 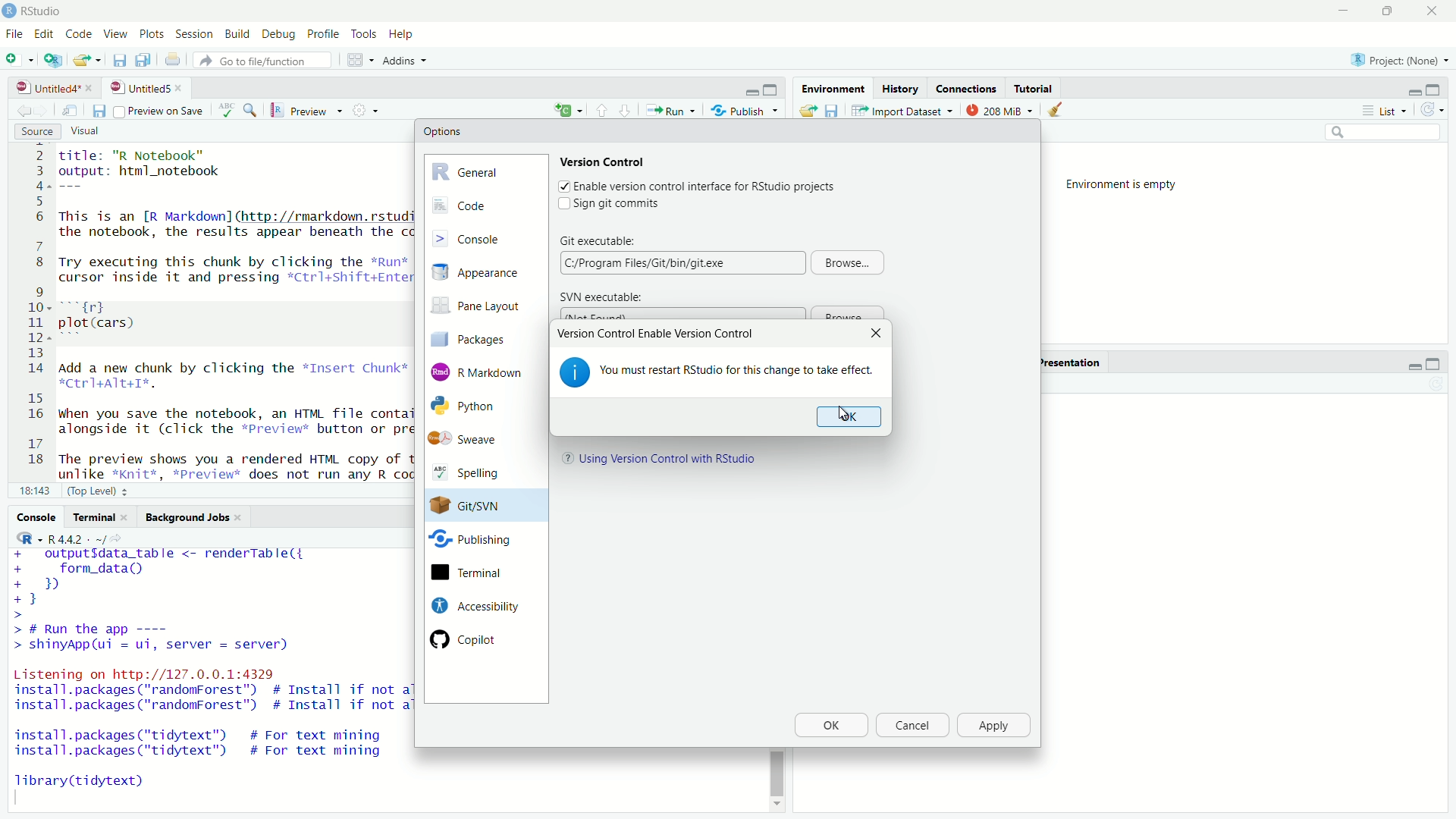 What do you see at coordinates (209, 676) in the screenshot?
I see `+ outputfdata_table <- renderTable({+ form_data()+B+}>> # Run the app ----> shinyApp(ui = ui, server = server)Listening on http://127.0.0.1:4329install.packages ("randomForest") # Install if not already installedinstall.packages ("randomForest") # Install if not already installedinstall.packages ("tidytext") # For text mininginstall.packages ("tidytext") # For text miningTibrary(tidytext)` at bounding box center [209, 676].